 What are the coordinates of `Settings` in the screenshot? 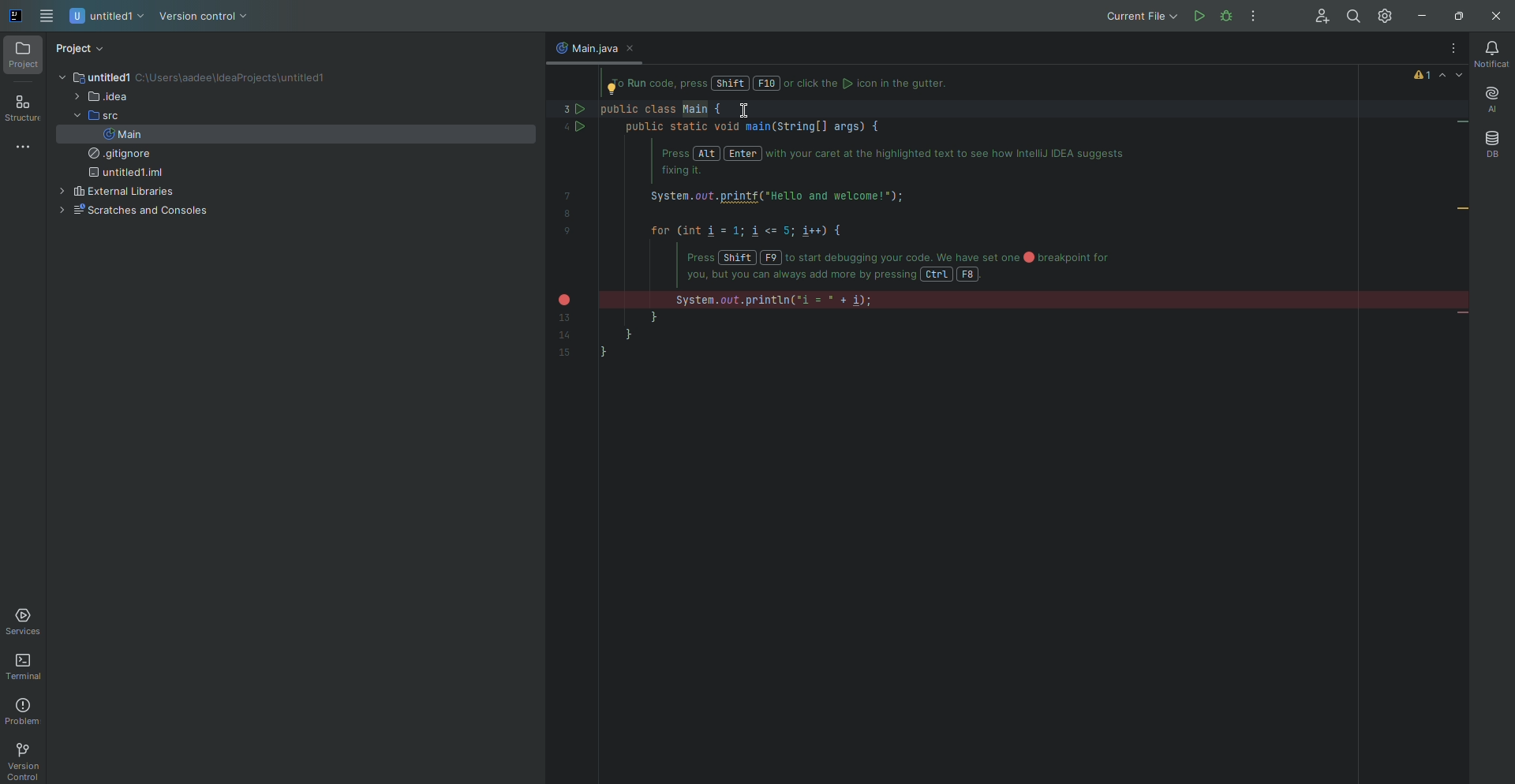 It's located at (1387, 15).